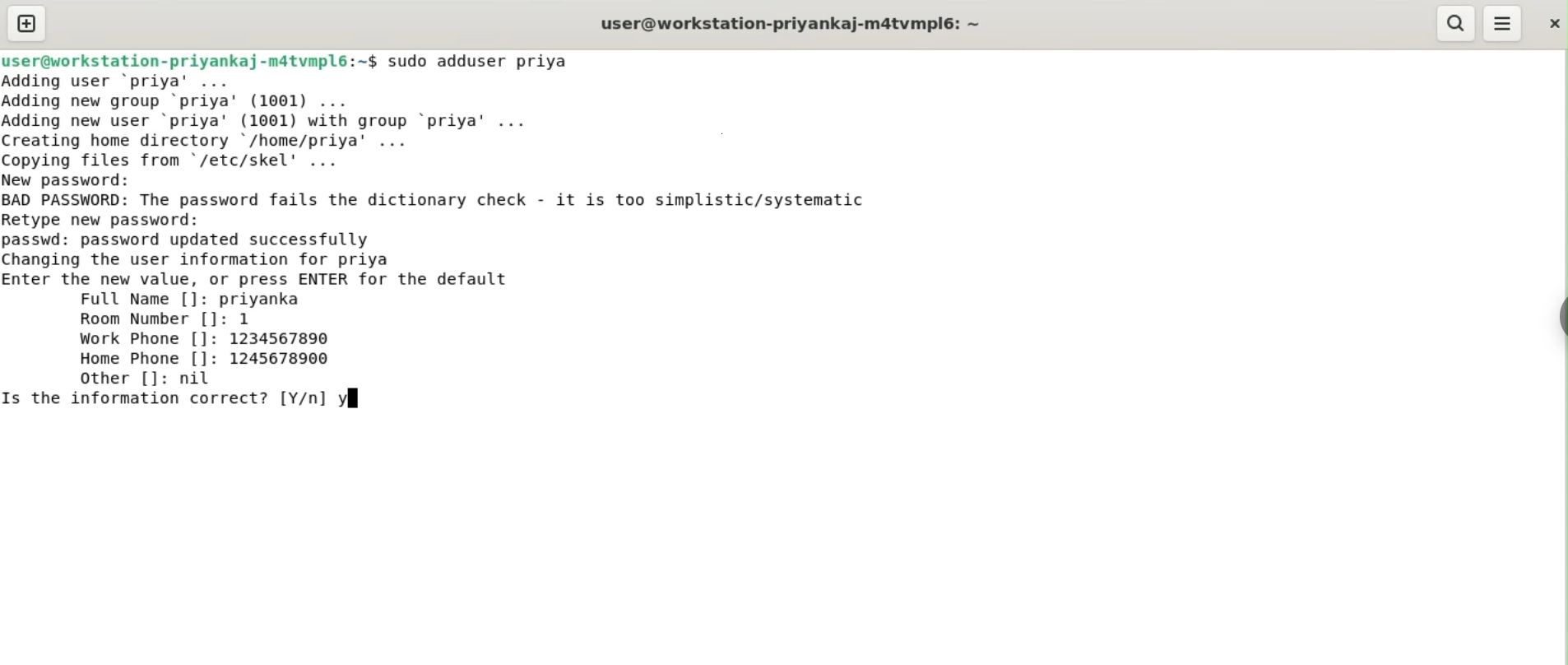 Image resolution: width=1568 pixels, height=665 pixels. Describe the element at coordinates (140, 300) in the screenshot. I see `full name []:` at that location.